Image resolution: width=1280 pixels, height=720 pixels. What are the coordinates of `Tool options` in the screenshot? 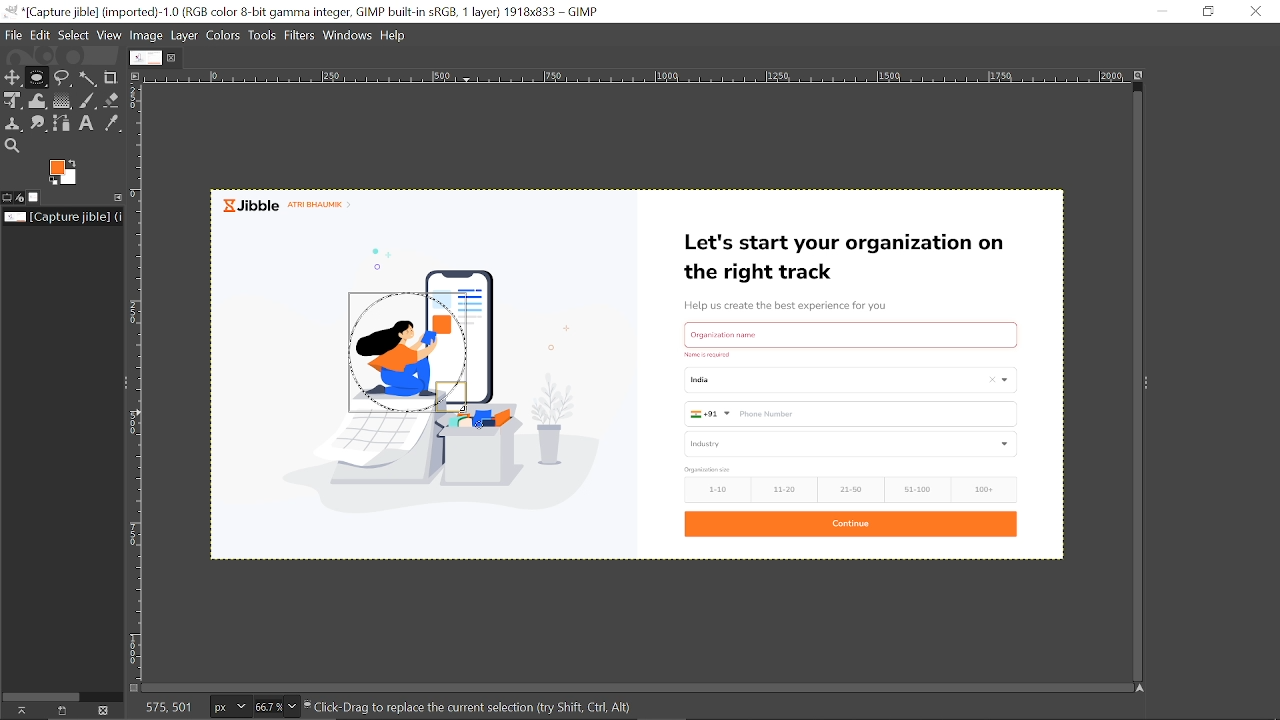 It's located at (7, 198).